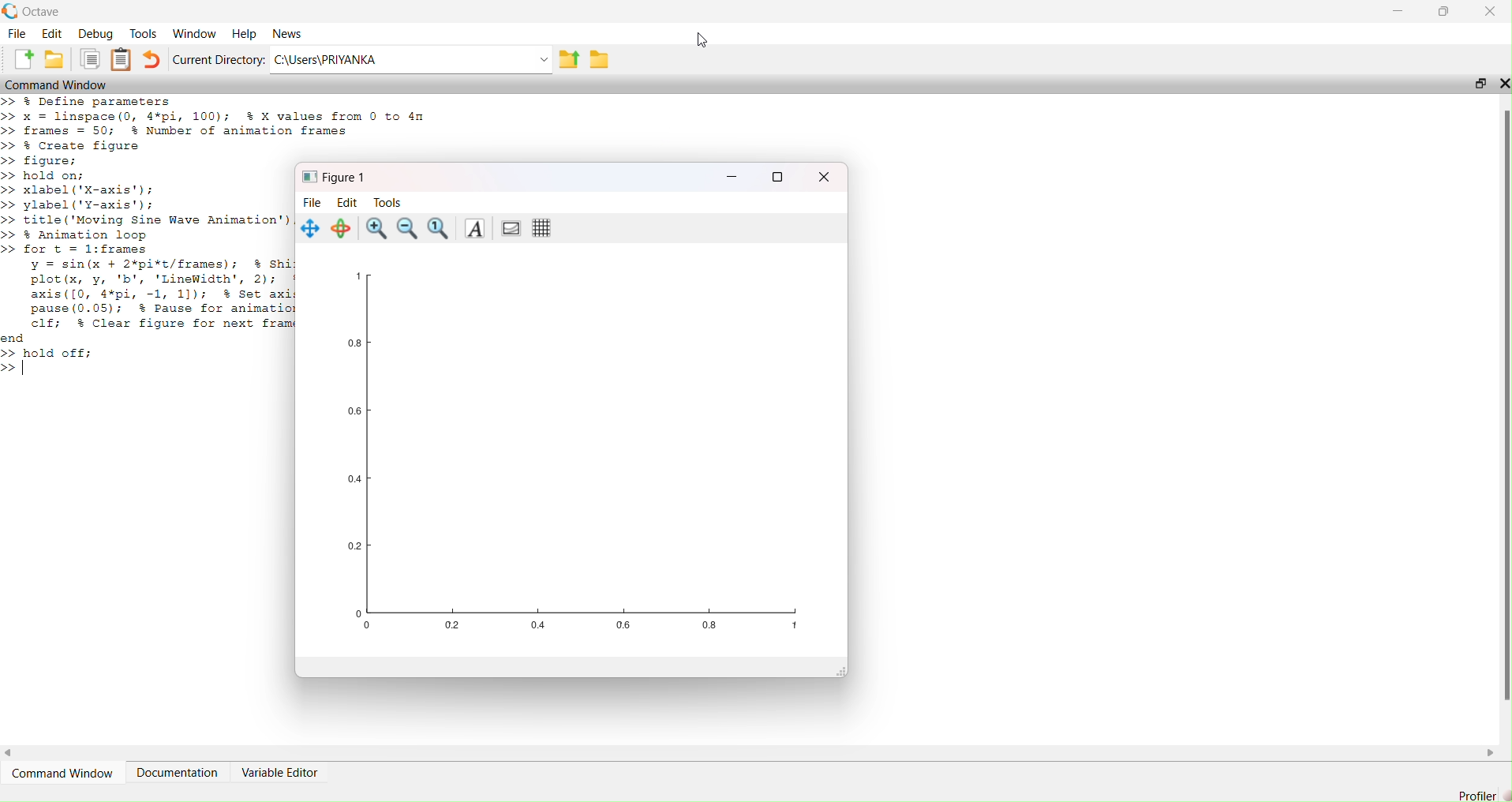 This screenshot has width=1512, height=802. I want to click on Debug, so click(95, 32).